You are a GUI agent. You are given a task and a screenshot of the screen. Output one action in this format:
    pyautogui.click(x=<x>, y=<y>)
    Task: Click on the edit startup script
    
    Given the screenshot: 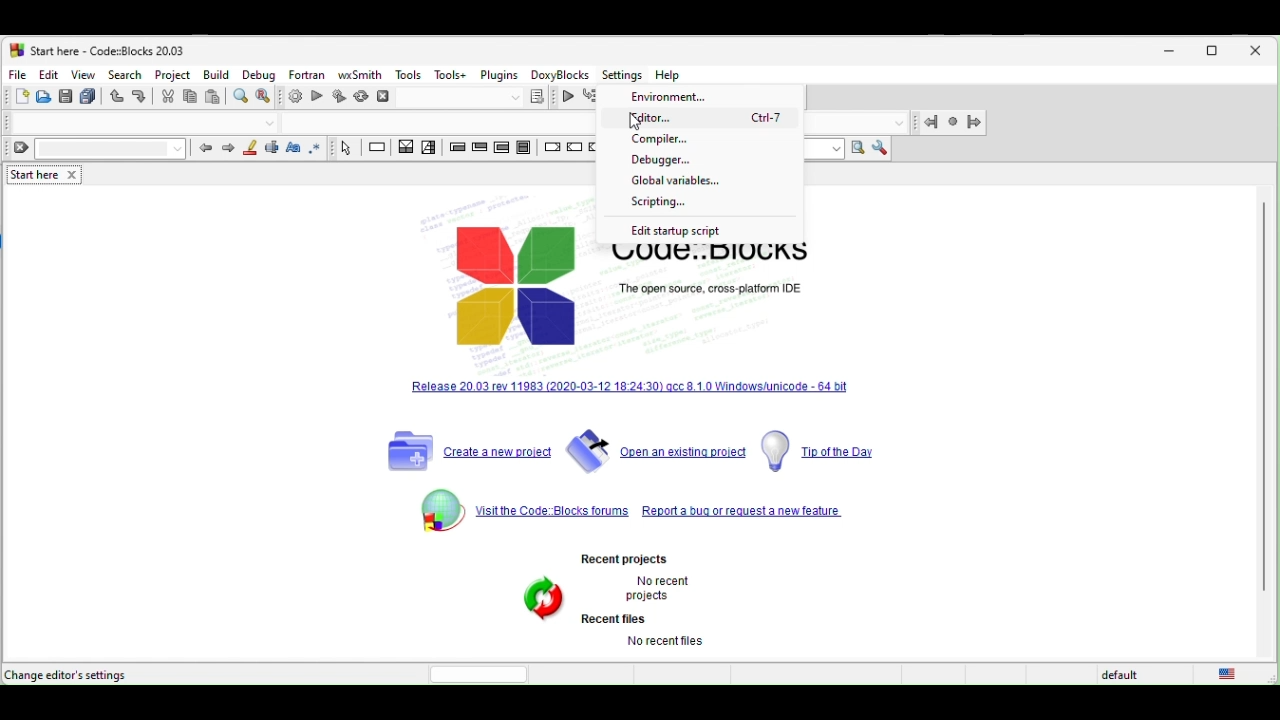 What is the action you would take?
    pyautogui.click(x=682, y=230)
    